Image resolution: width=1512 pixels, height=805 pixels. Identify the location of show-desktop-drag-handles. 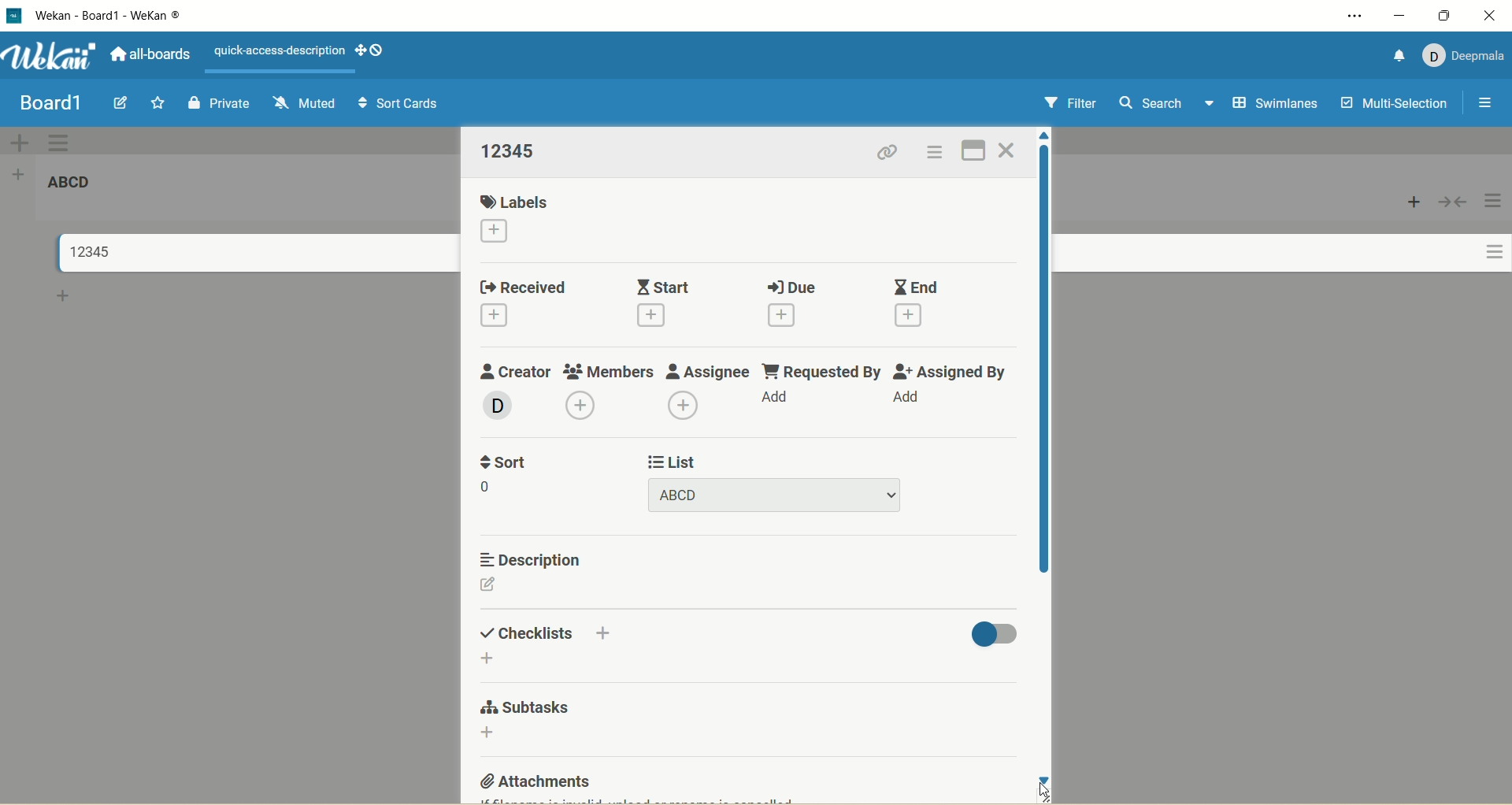
(357, 48).